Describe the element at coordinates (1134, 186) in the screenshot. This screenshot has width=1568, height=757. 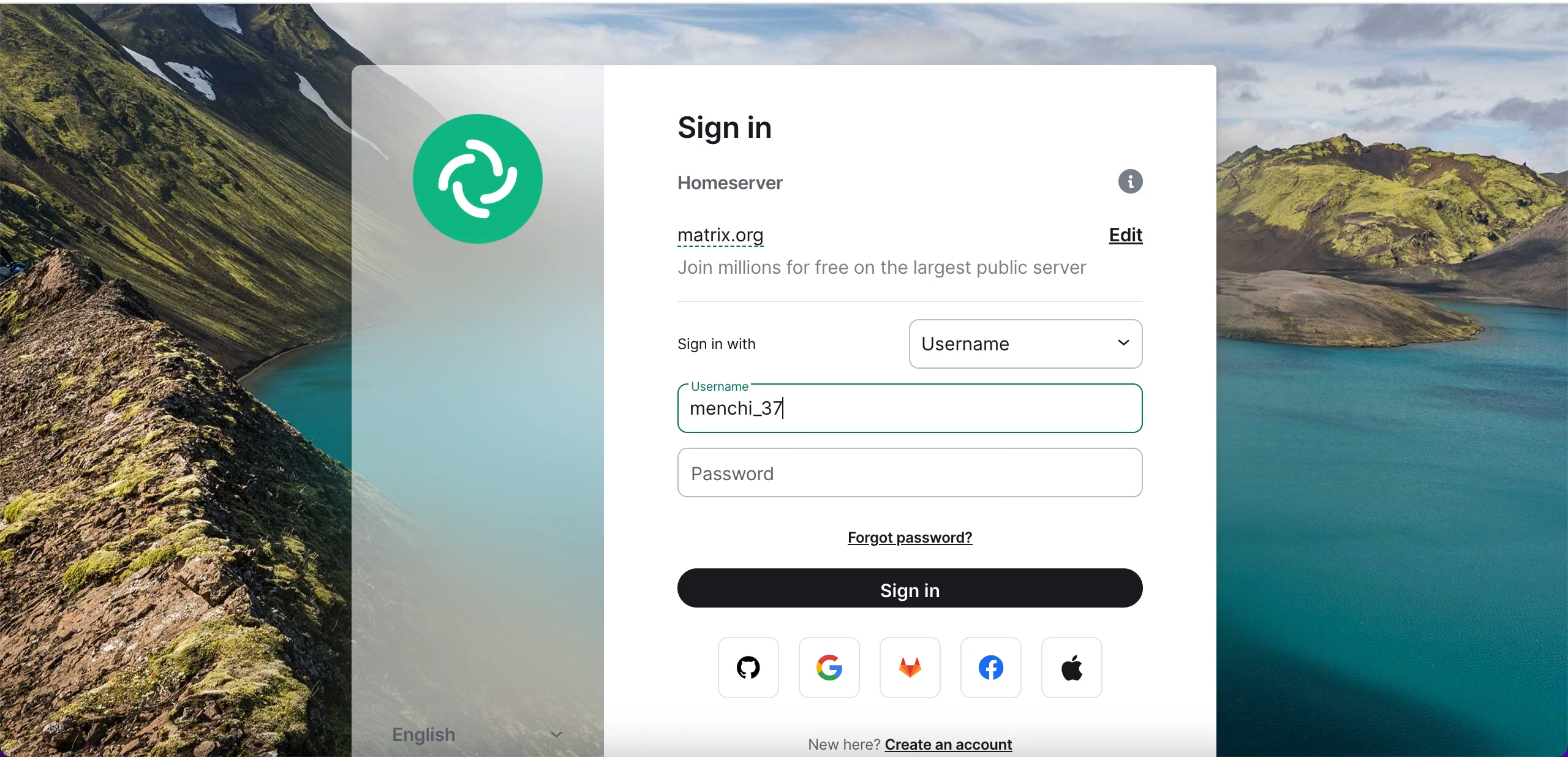
I see `info` at that location.